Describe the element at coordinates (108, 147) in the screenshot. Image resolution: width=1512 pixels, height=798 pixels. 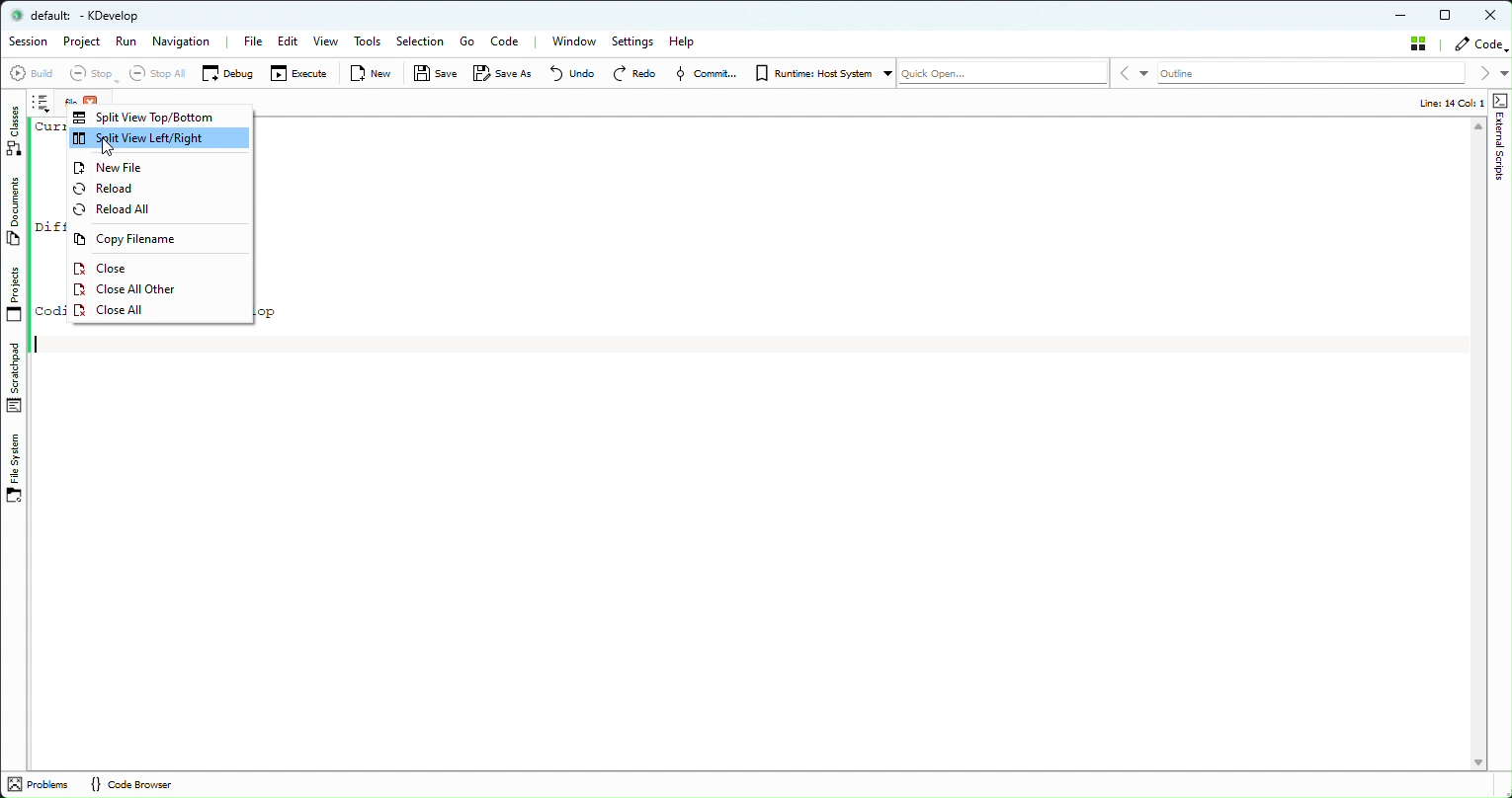
I see `Cursor` at that location.